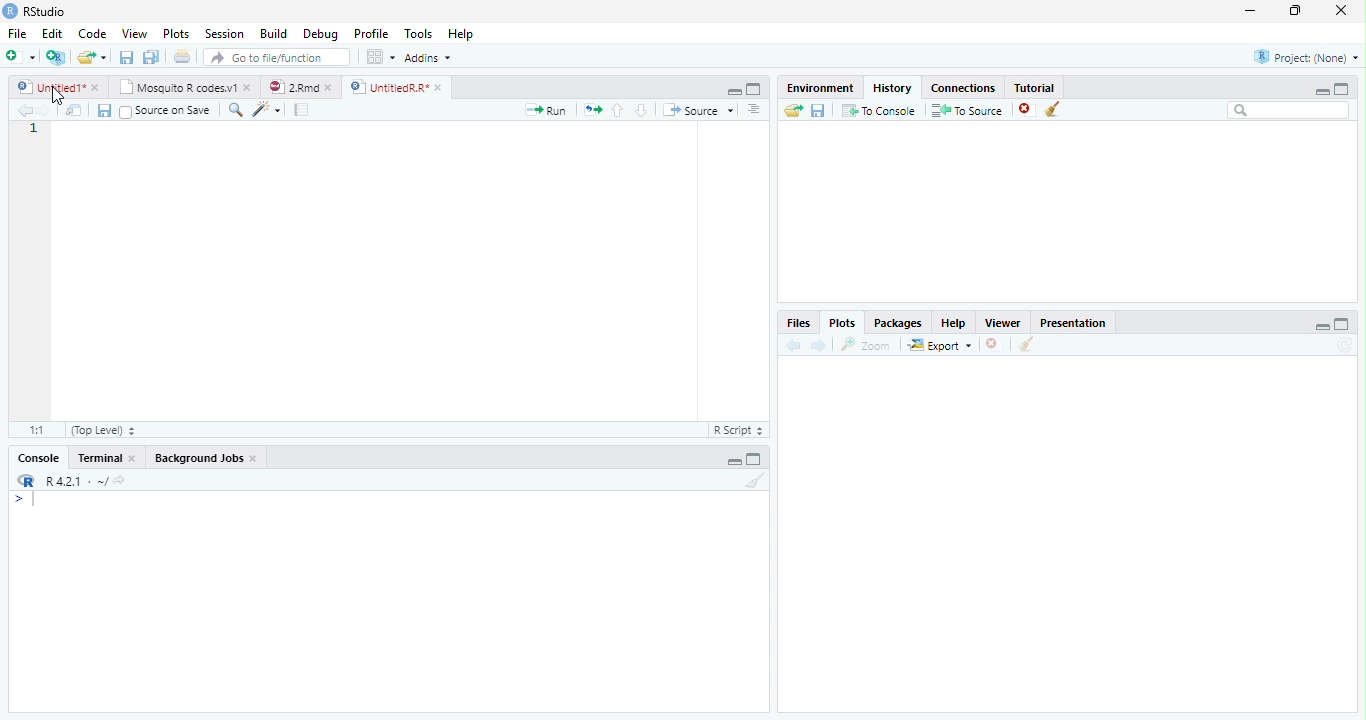 This screenshot has width=1366, height=720. I want to click on cursor, so click(57, 96).